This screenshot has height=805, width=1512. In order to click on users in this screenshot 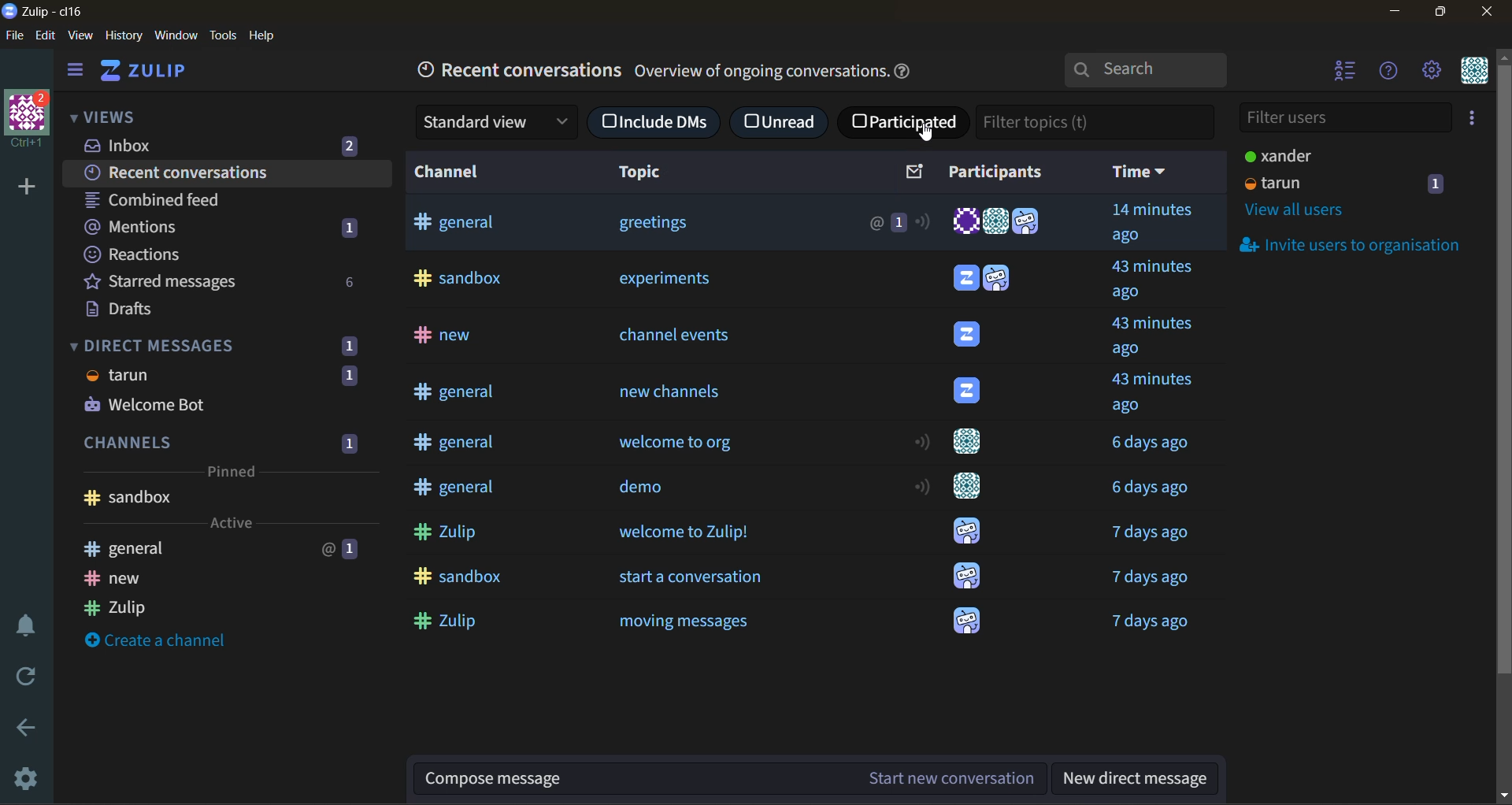, I will do `click(984, 280)`.